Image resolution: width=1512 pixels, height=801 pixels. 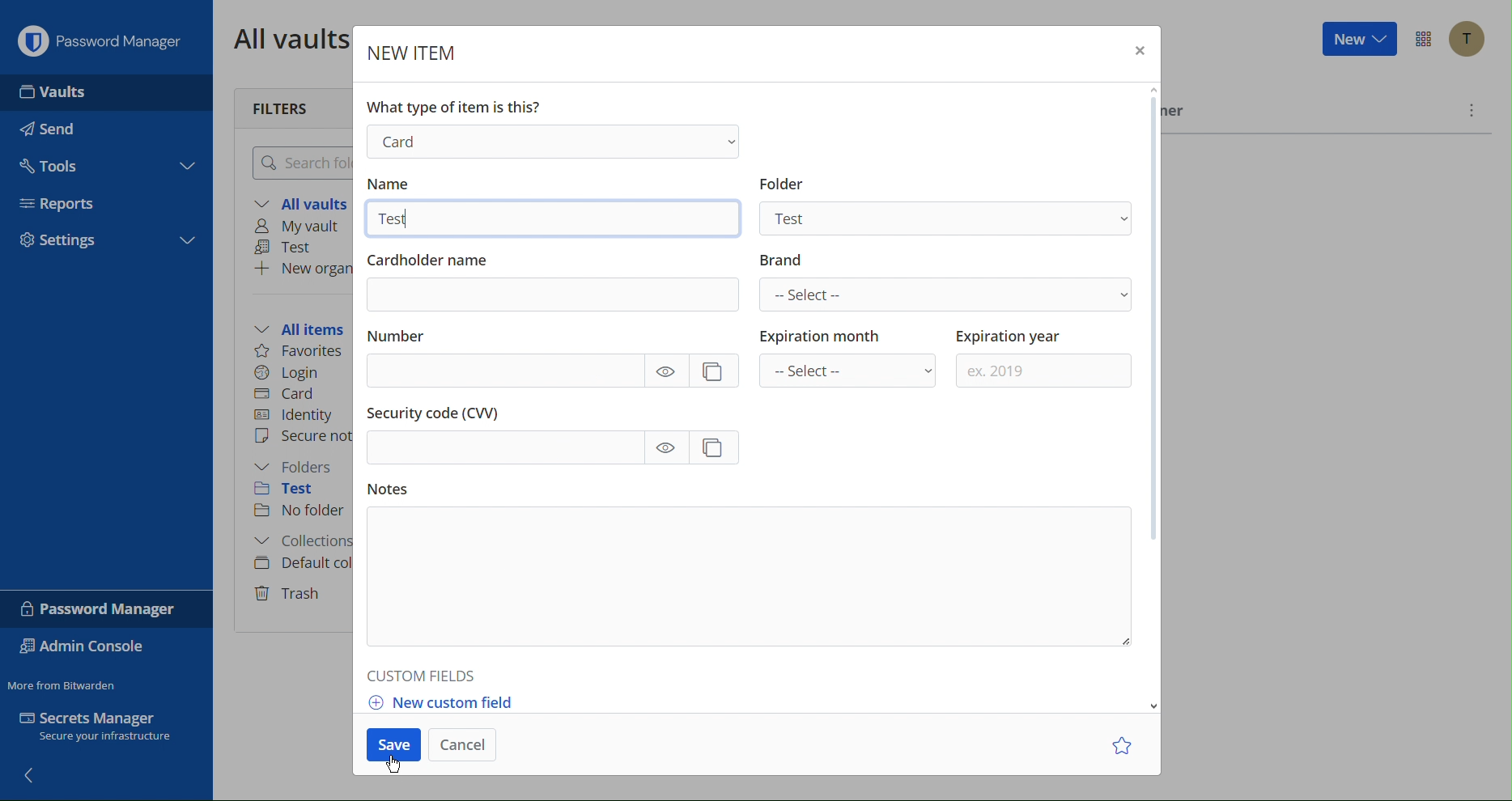 What do you see at coordinates (297, 468) in the screenshot?
I see `Folders` at bounding box center [297, 468].